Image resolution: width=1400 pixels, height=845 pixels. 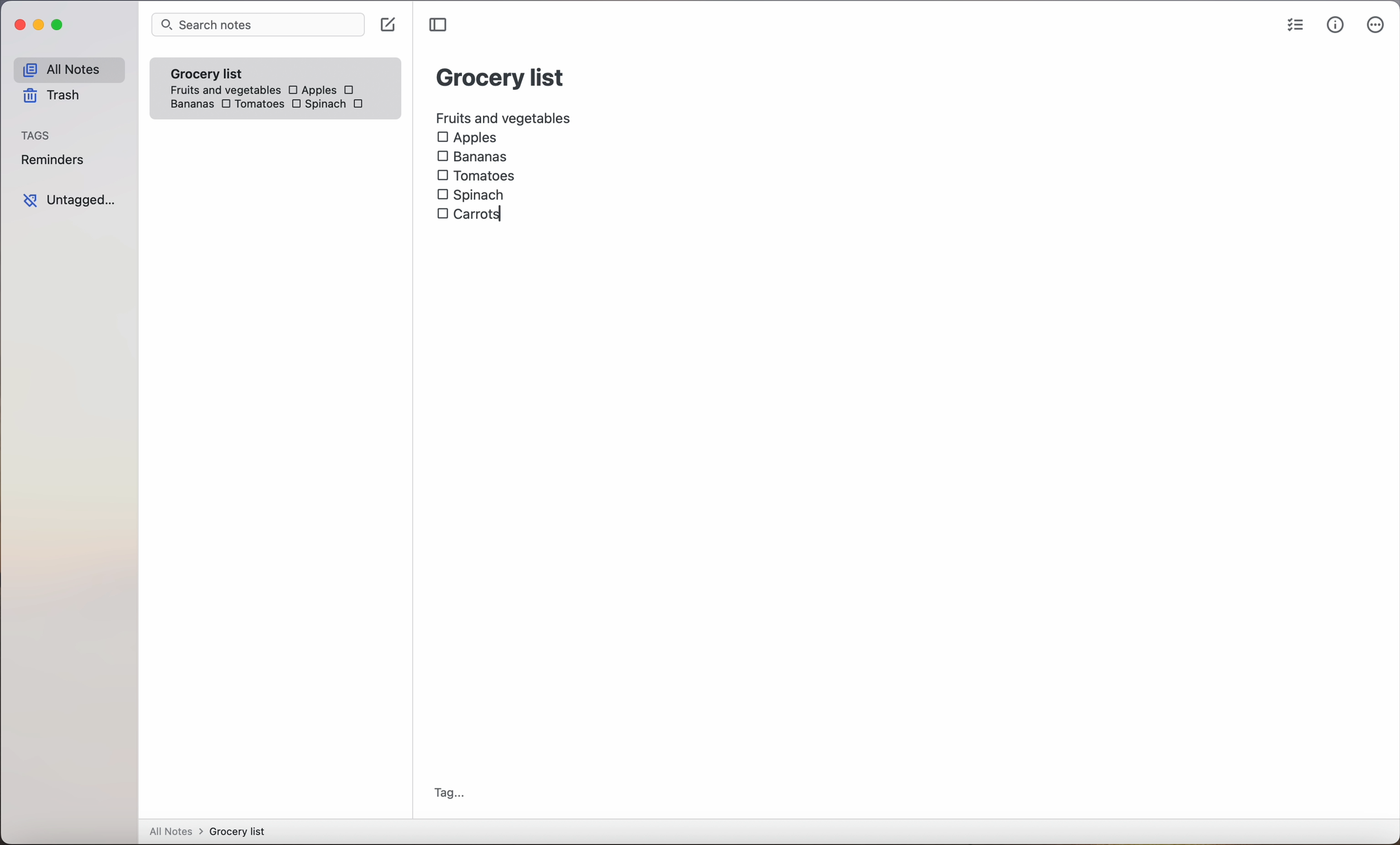 What do you see at coordinates (449, 793) in the screenshot?
I see `tag` at bounding box center [449, 793].